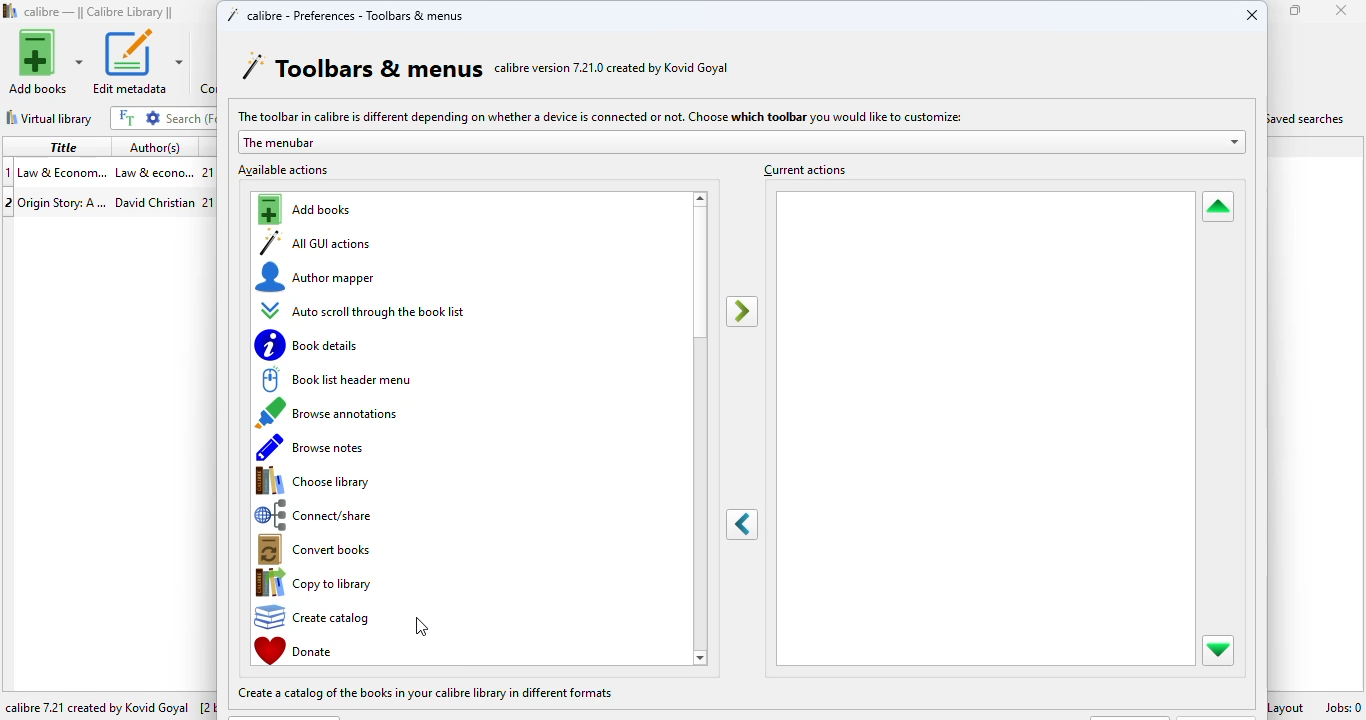 The height and width of the screenshot is (720, 1366). Describe the element at coordinates (320, 515) in the screenshot. I see `connect/share` at that location.